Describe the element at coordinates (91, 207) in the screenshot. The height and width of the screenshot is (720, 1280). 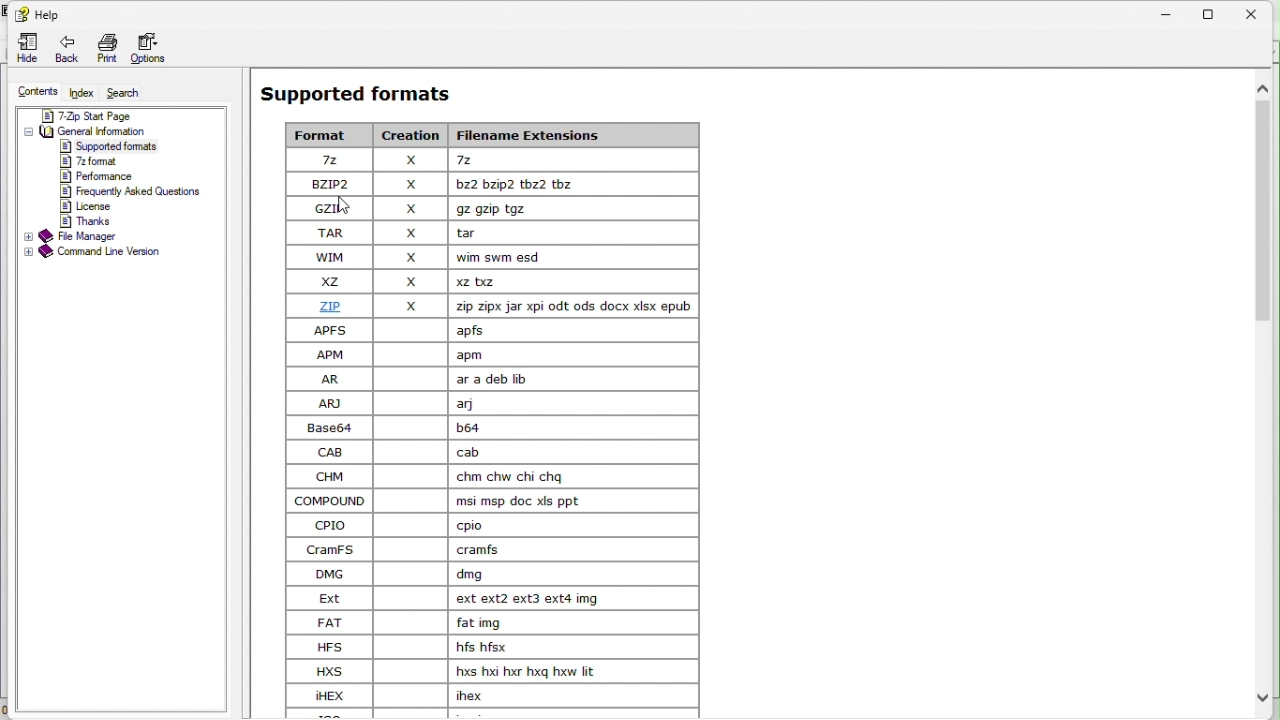
I see `license` at that location.